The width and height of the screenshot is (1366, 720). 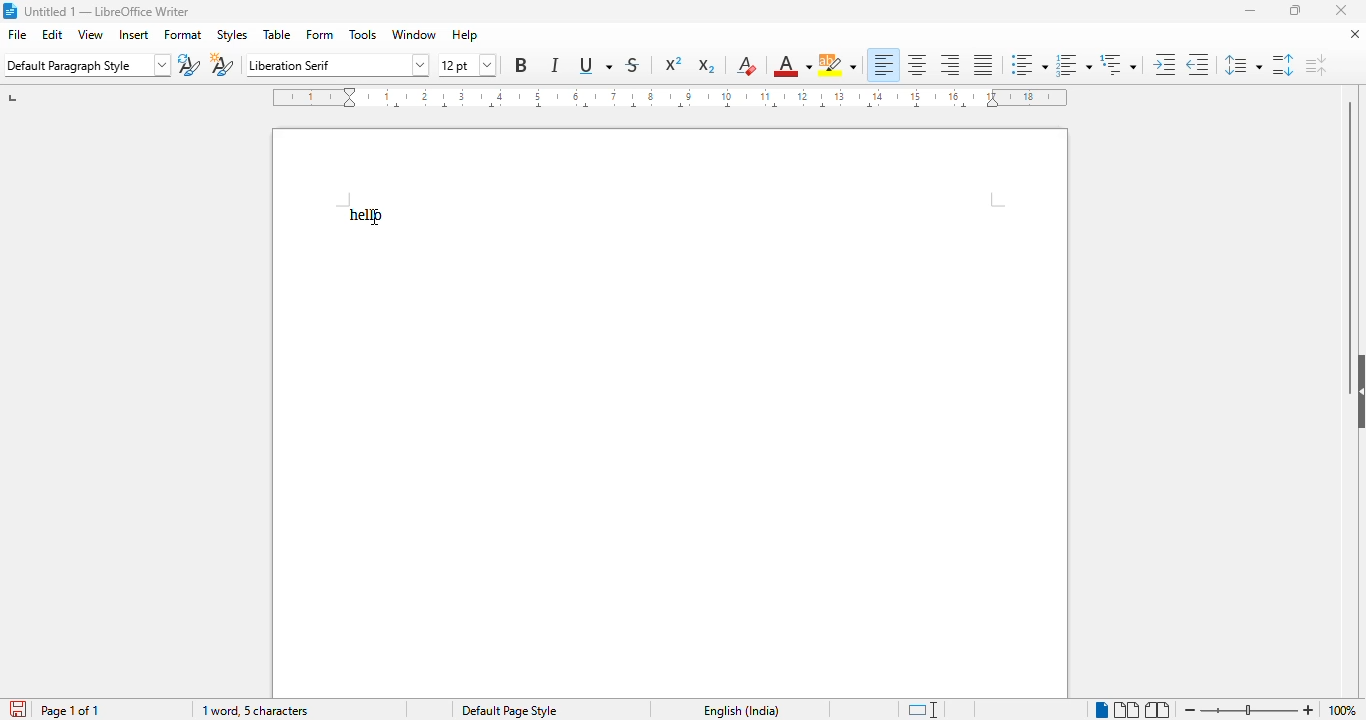 I want to click on underline, so click(x=594, y=66).